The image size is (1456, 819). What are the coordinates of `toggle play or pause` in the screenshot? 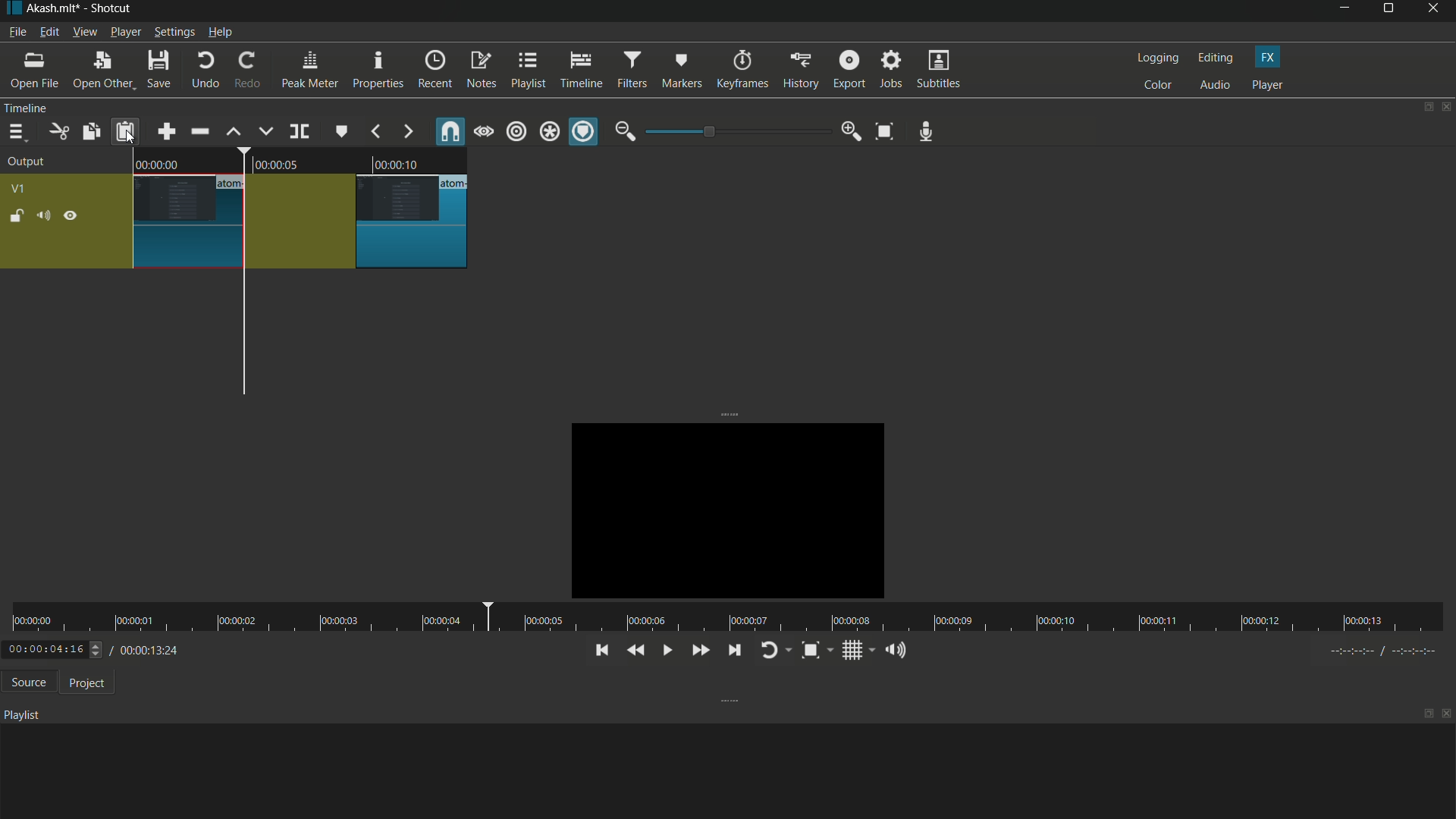 It's located at (665, 650).